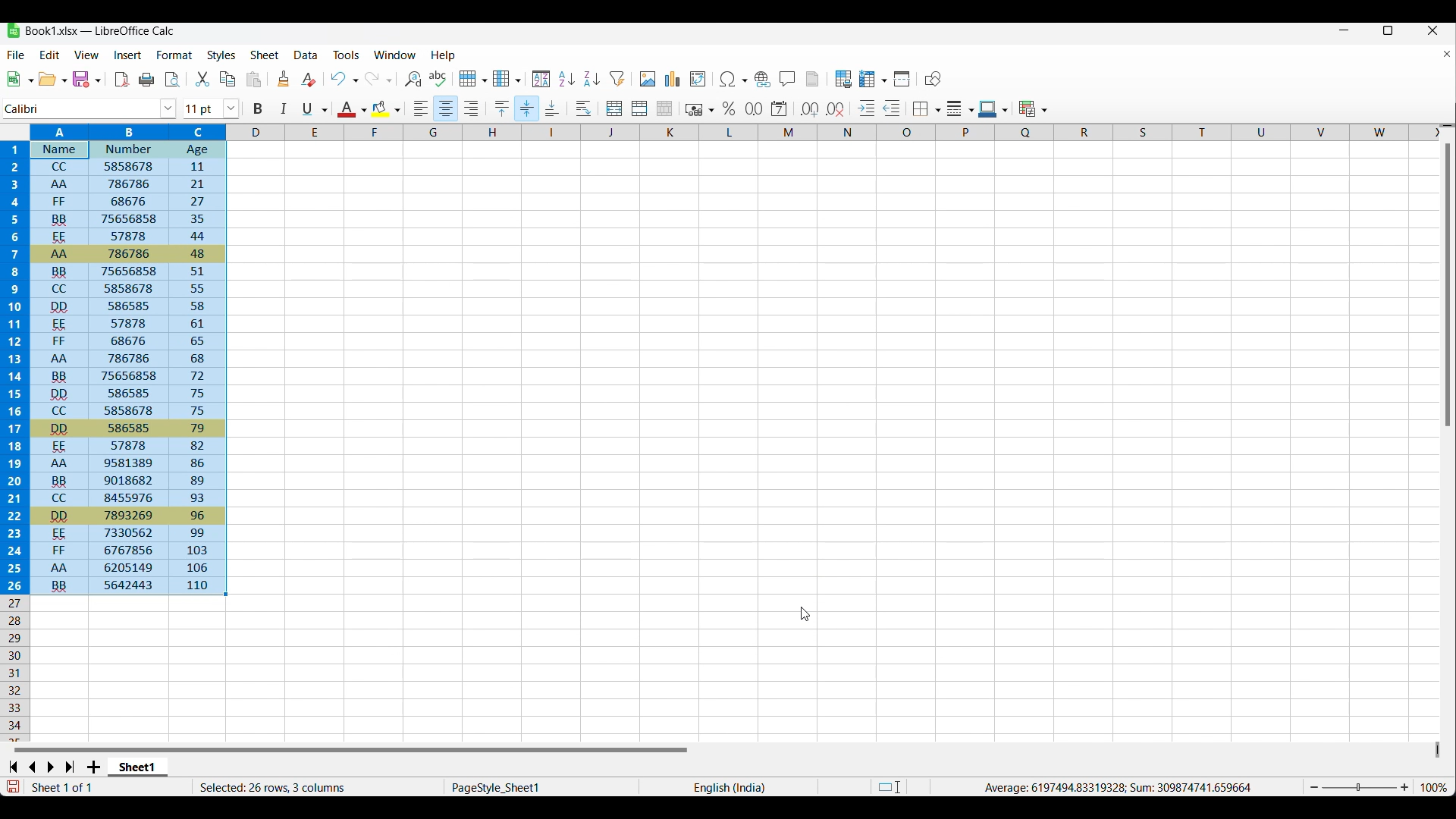  Describe the element at coordinates (836, 110) in the screenshot. I see `Delete decimal place ` at that location.